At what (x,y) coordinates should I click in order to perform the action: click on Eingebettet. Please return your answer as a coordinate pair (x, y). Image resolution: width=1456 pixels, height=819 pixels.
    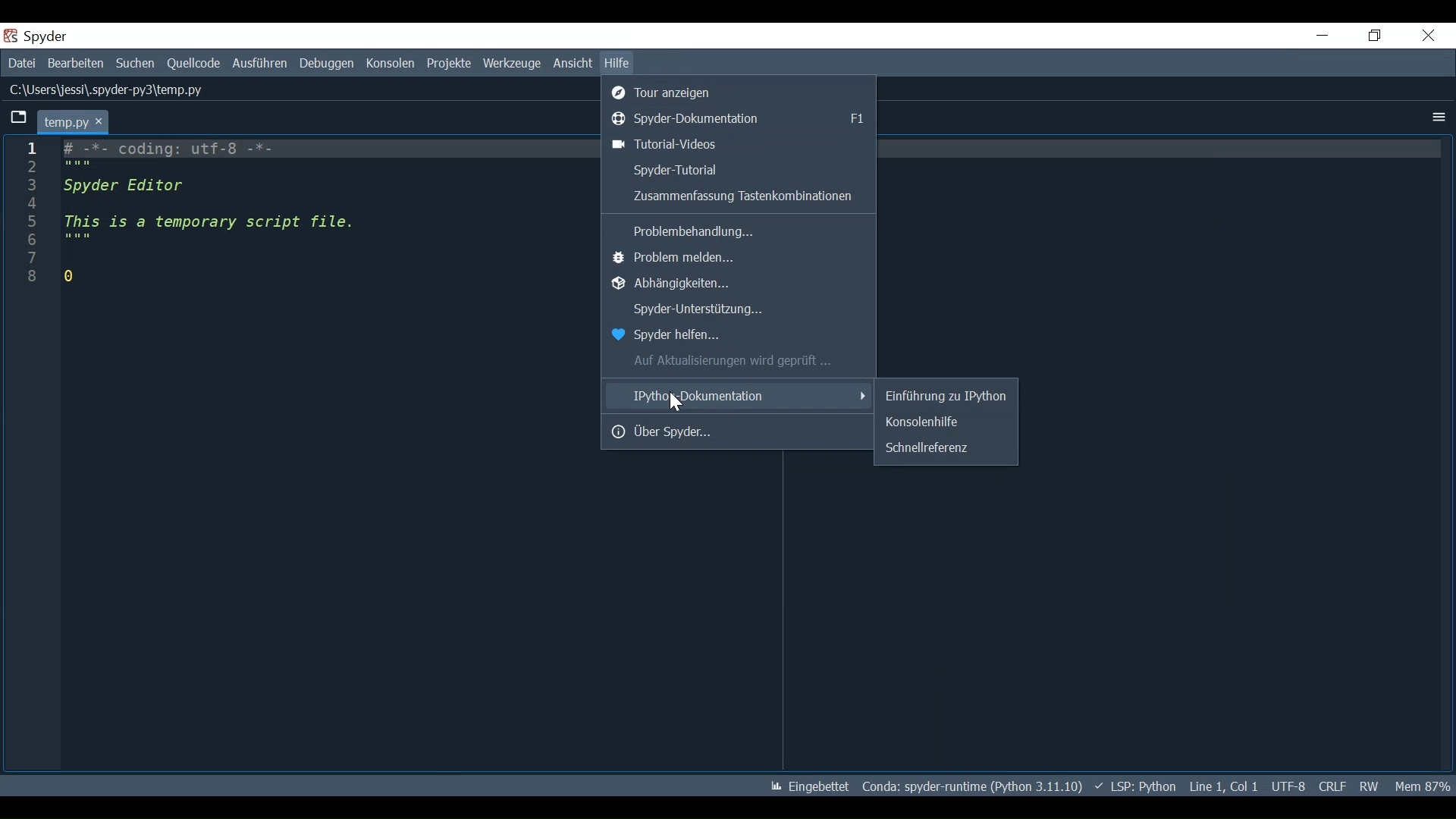
    Looking at the image, I should click on (811, 787).